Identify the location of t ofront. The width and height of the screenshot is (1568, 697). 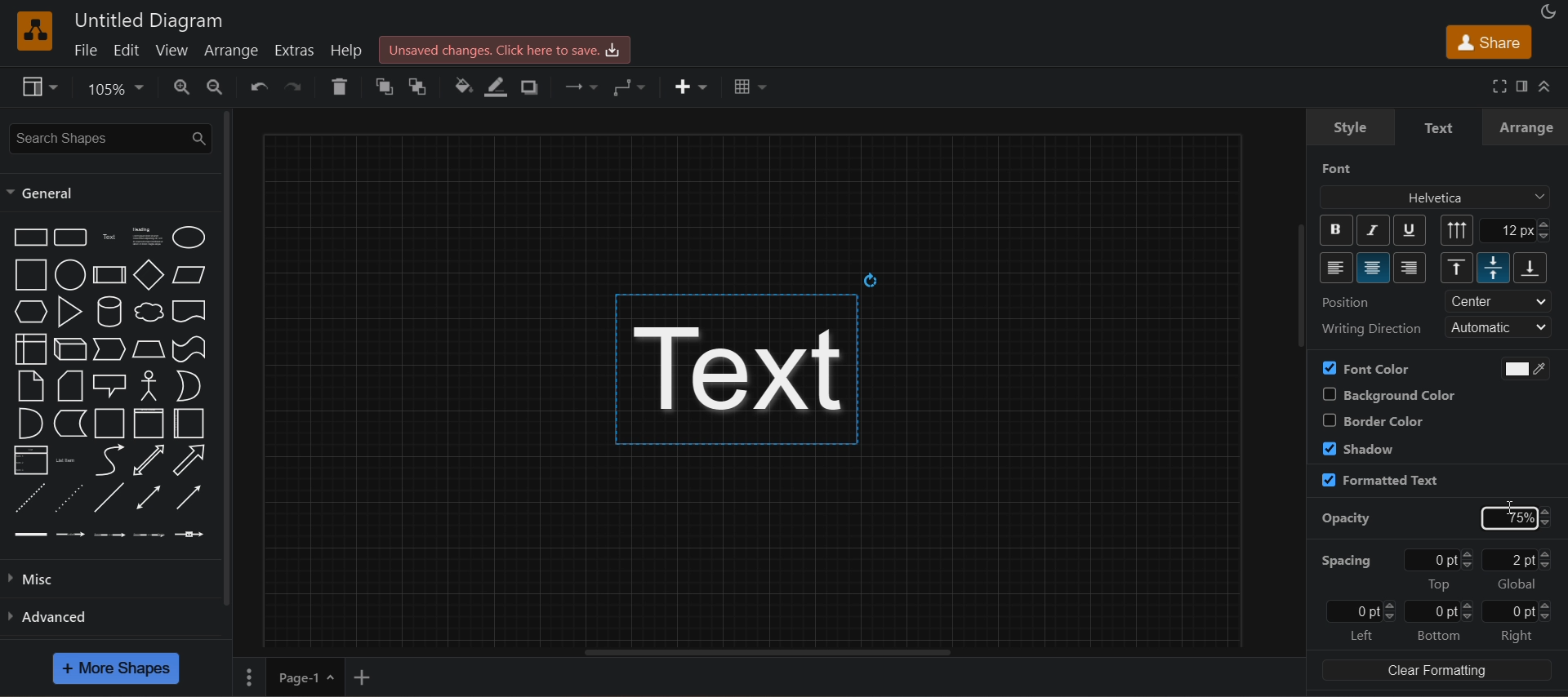
(422, 85).